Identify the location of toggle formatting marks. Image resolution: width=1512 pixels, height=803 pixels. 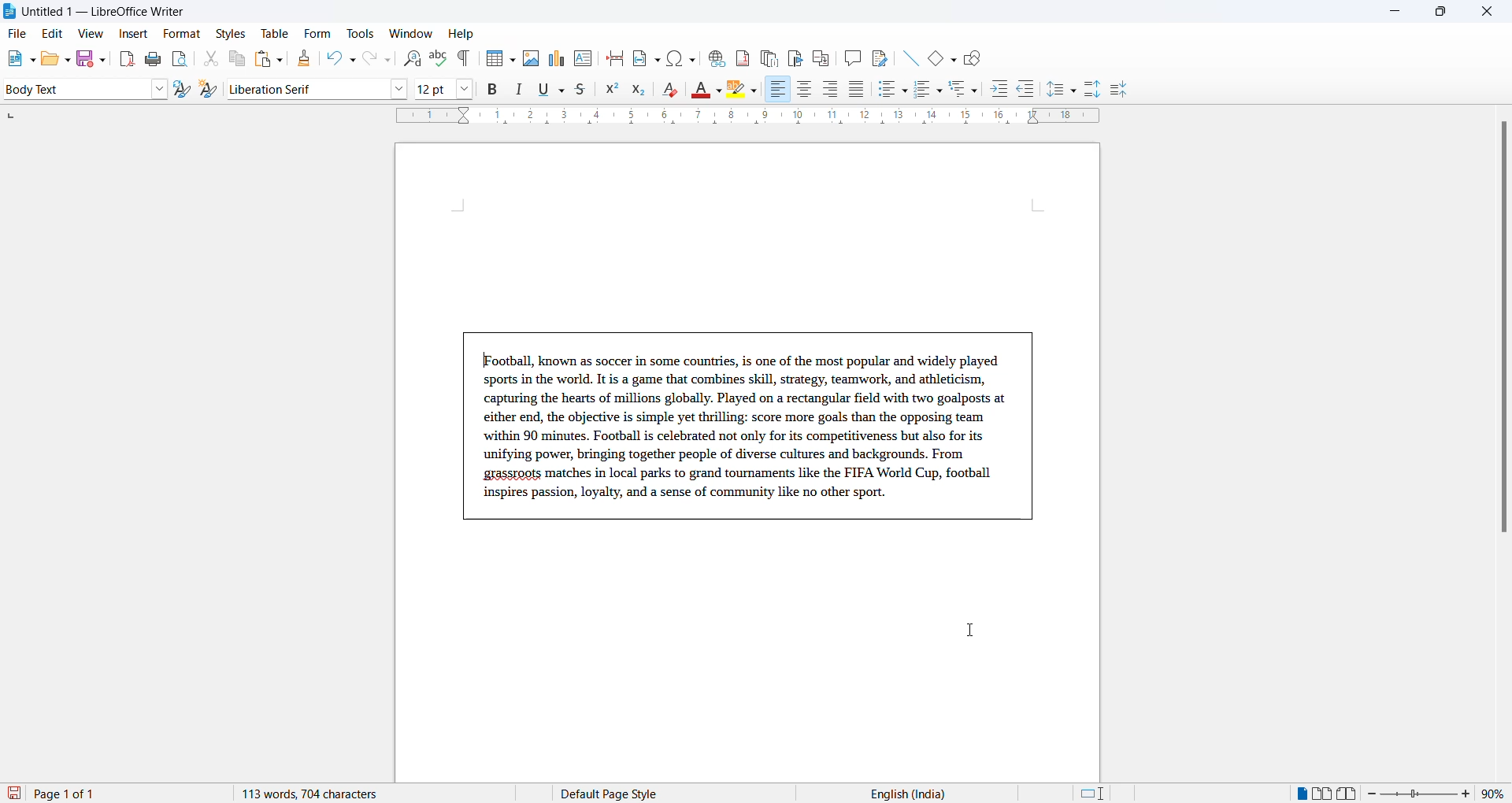
(465, 58).